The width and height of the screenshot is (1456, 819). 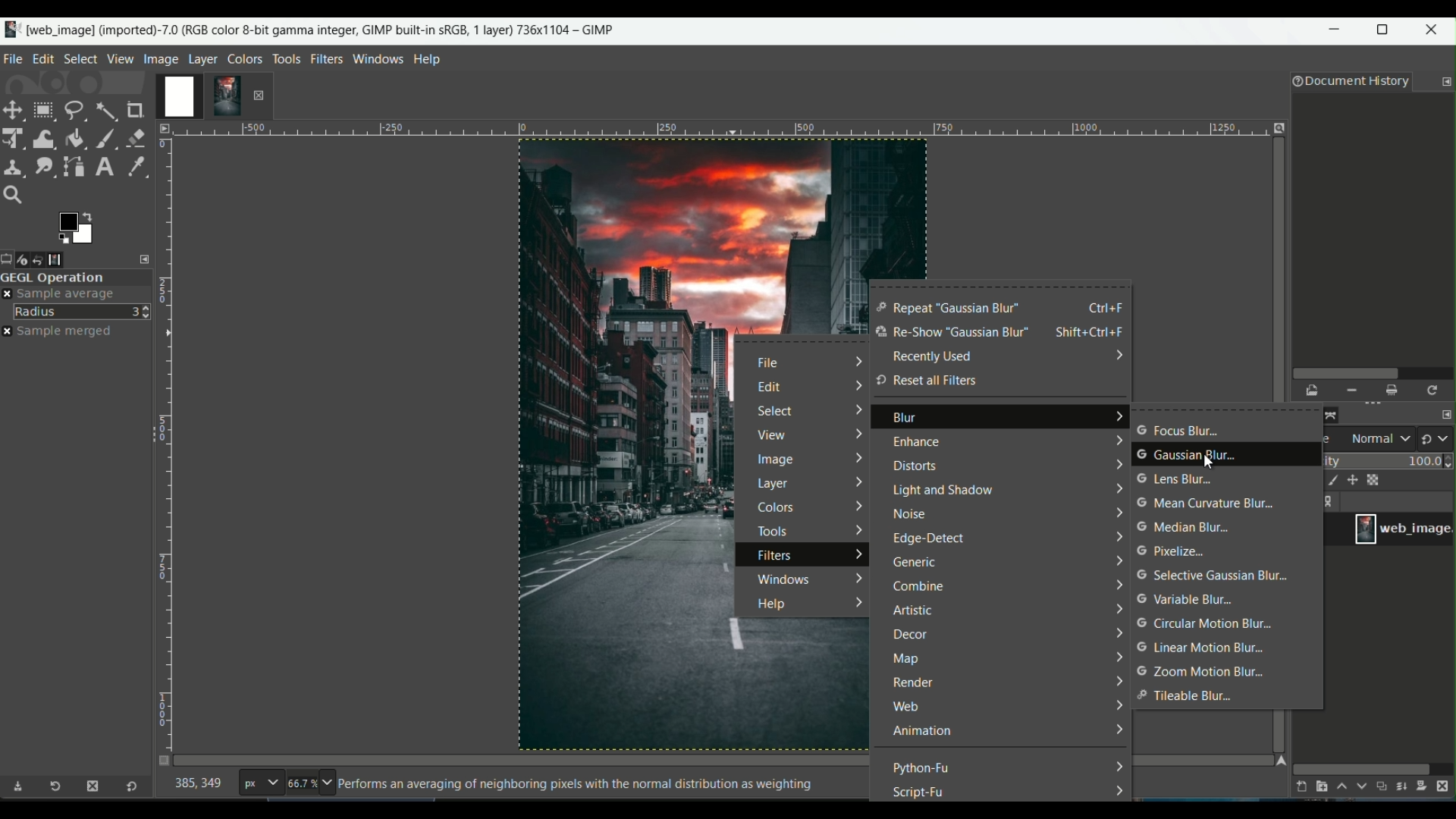 I want to click on width measuring scale, so click(x=717, y=133).